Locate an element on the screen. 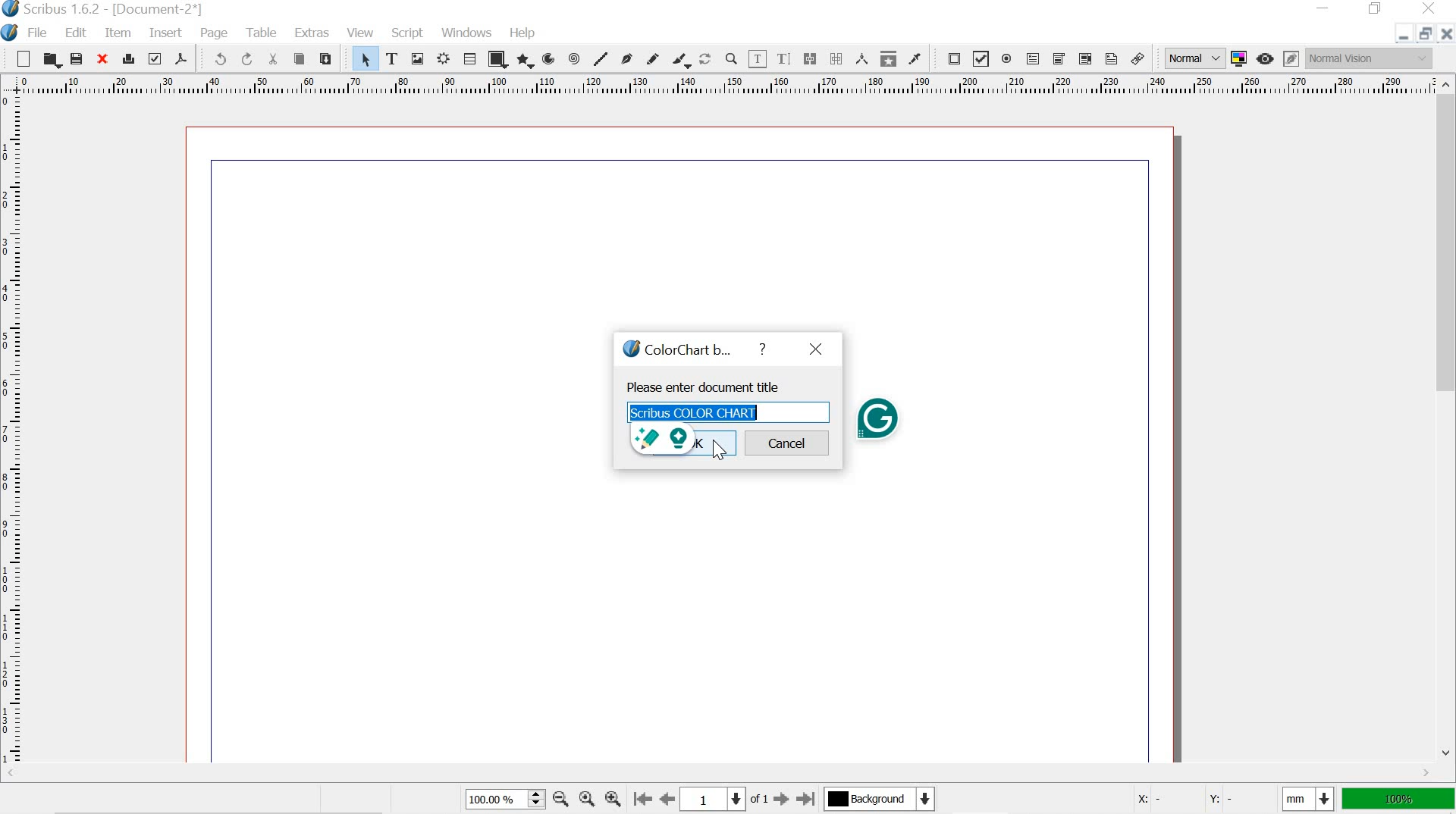 The width and height of the screenshot is (1456, 814). preview mode is located at coordinates (1267, 58).